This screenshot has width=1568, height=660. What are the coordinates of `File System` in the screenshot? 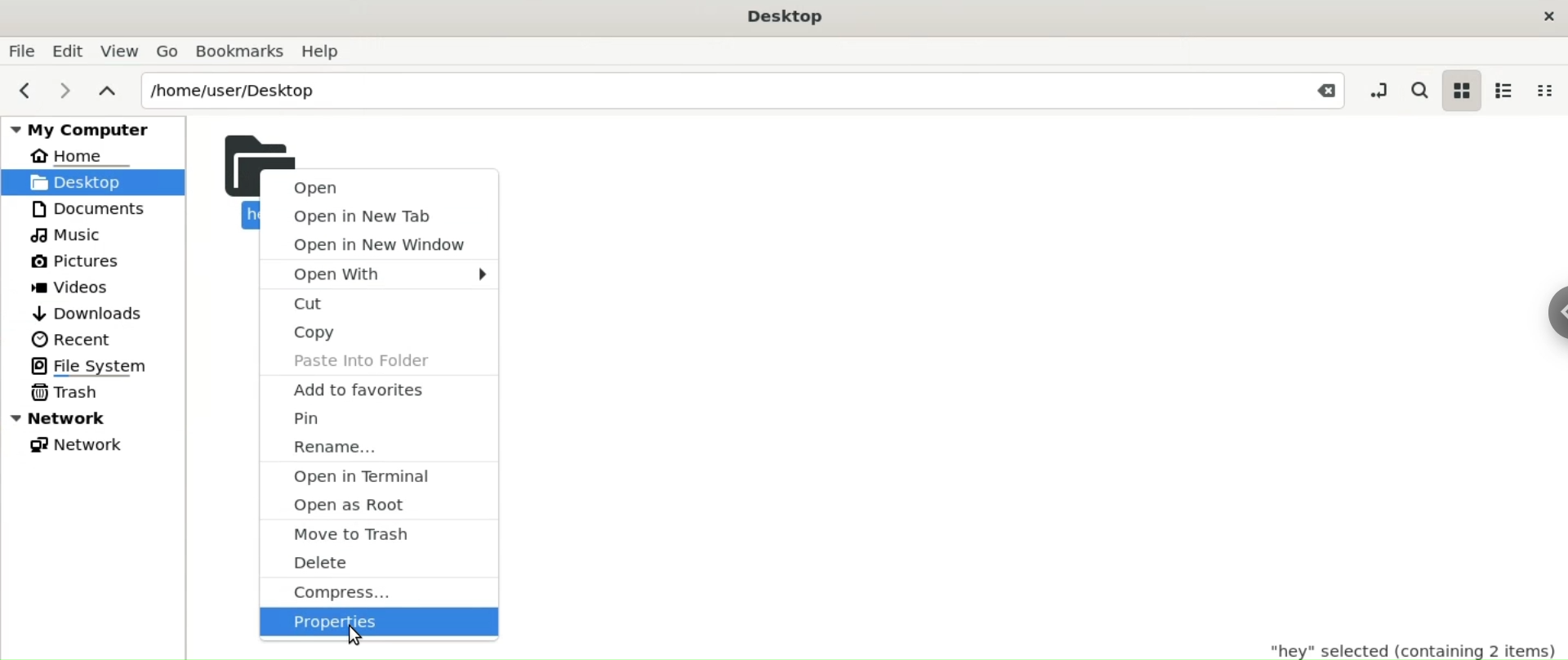 It's located at (88, 366).